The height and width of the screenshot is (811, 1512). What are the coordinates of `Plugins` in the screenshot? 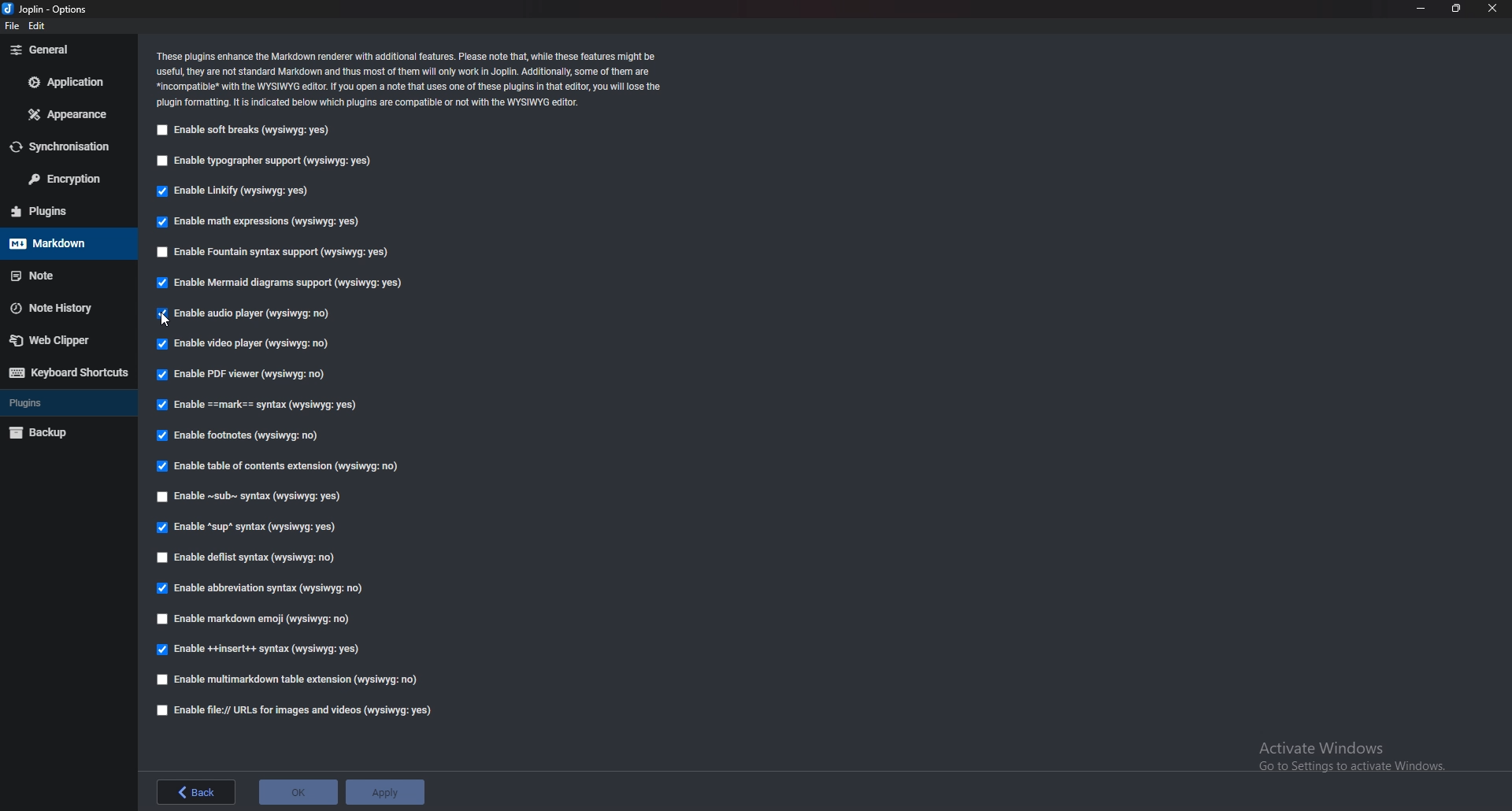 It's located at (62, 211).